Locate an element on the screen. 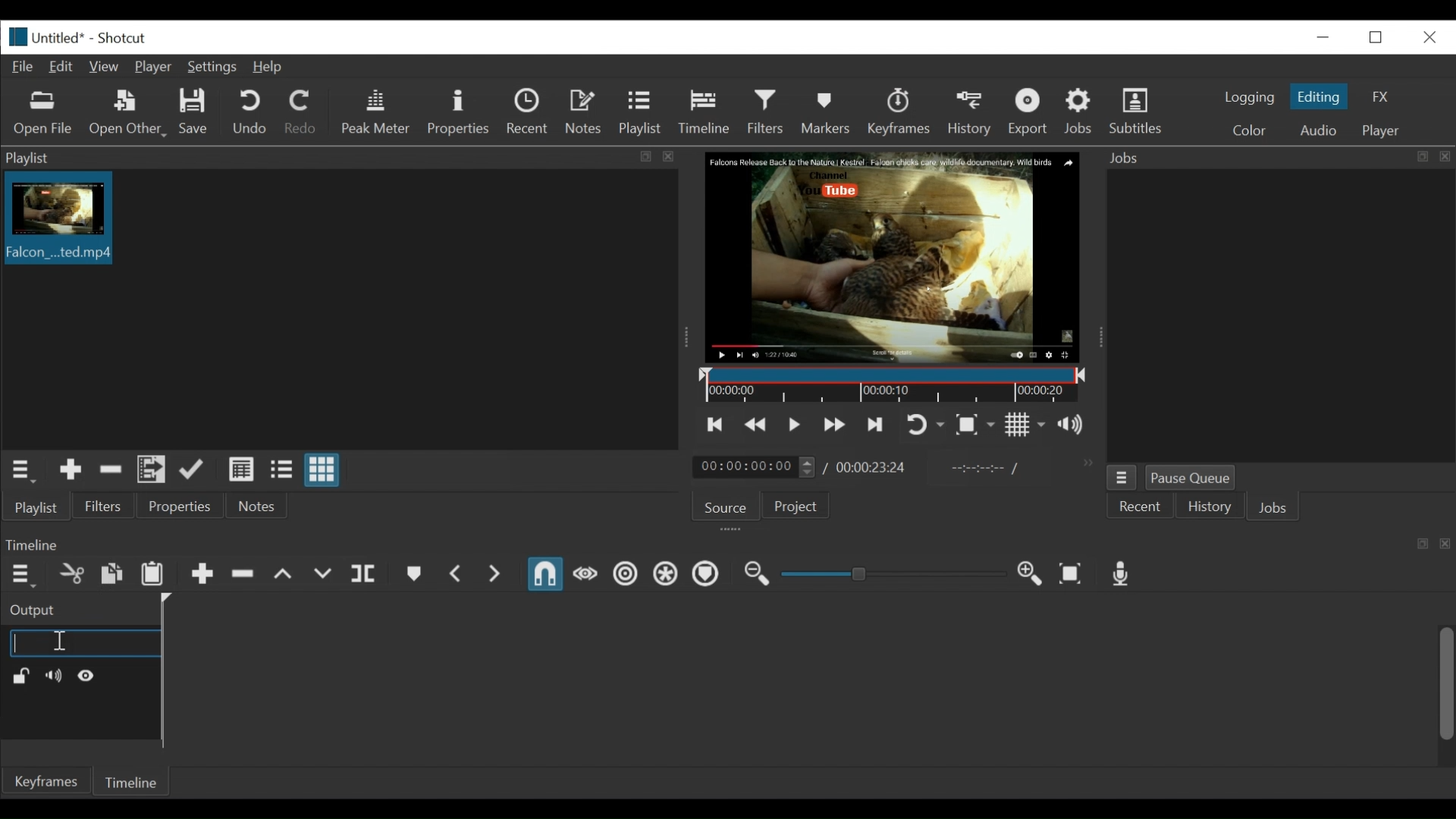  Add files to the playlist is located at coordinates (153, 470).